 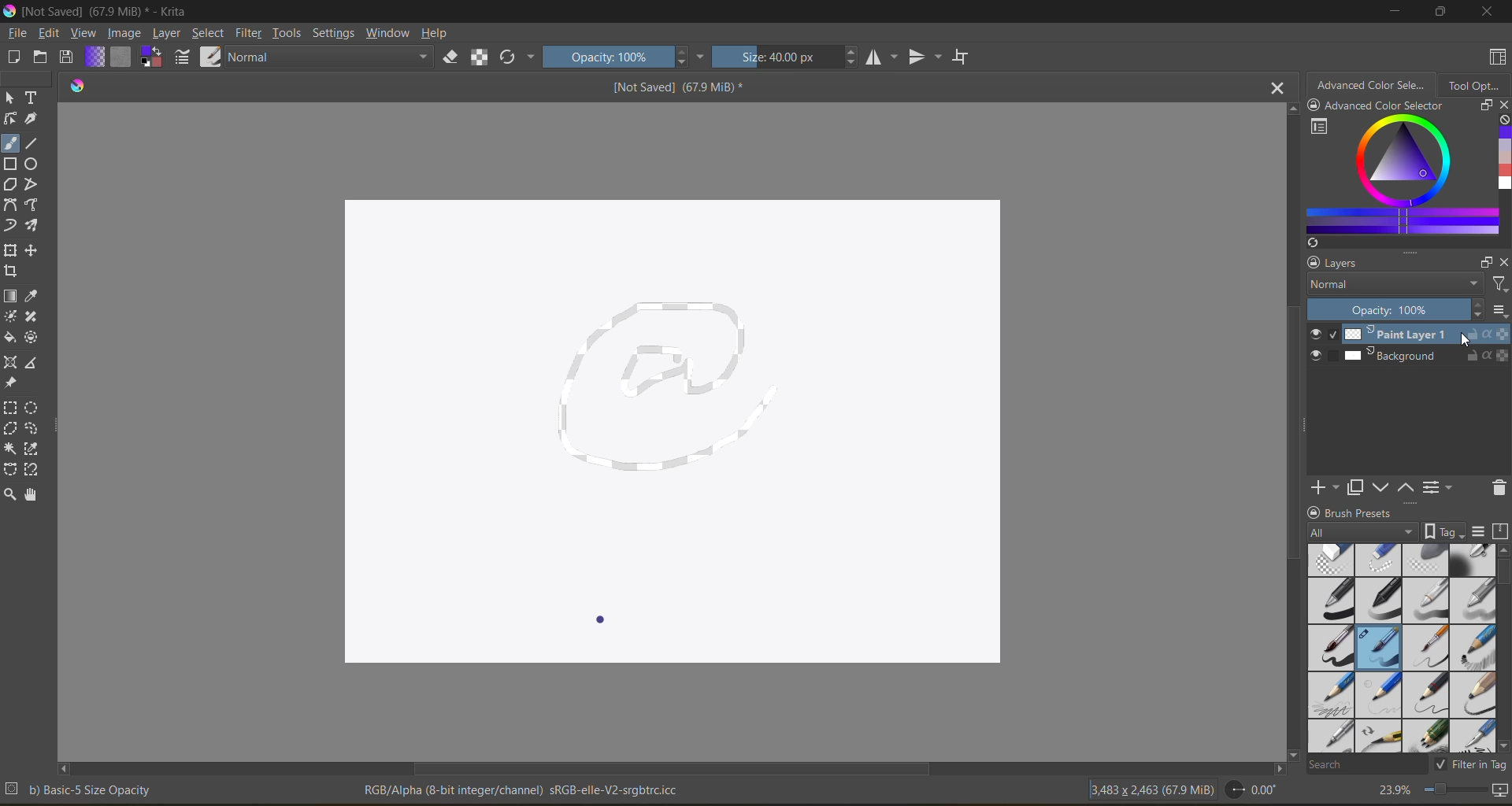 I want to click on magnetic curve selection, so click(x=32, y=471).